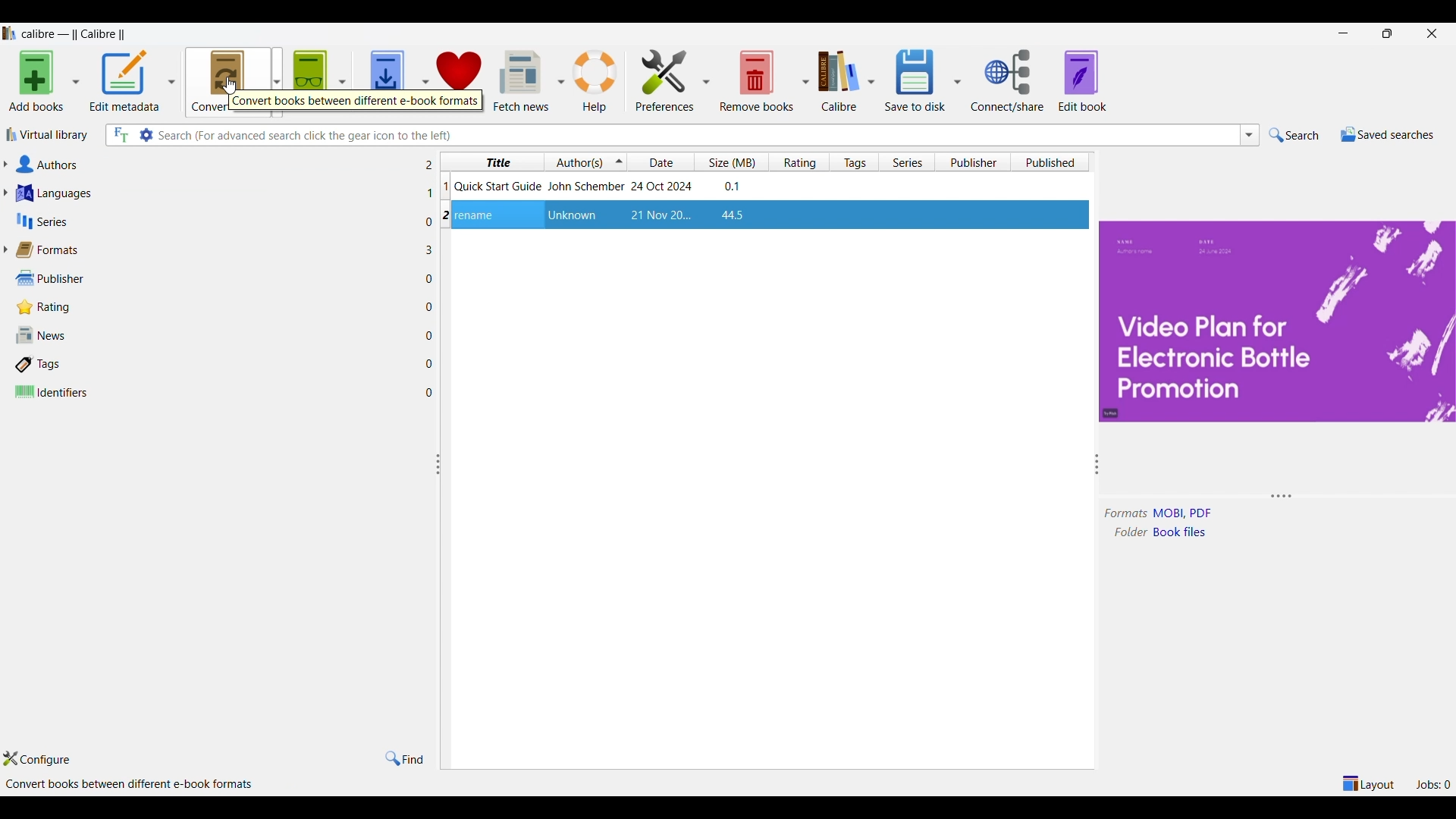 This screenshot has height=819, width=1456. Describe the element at coordinates (215, 278) in the screenshot. I see `Publisher` at that location.